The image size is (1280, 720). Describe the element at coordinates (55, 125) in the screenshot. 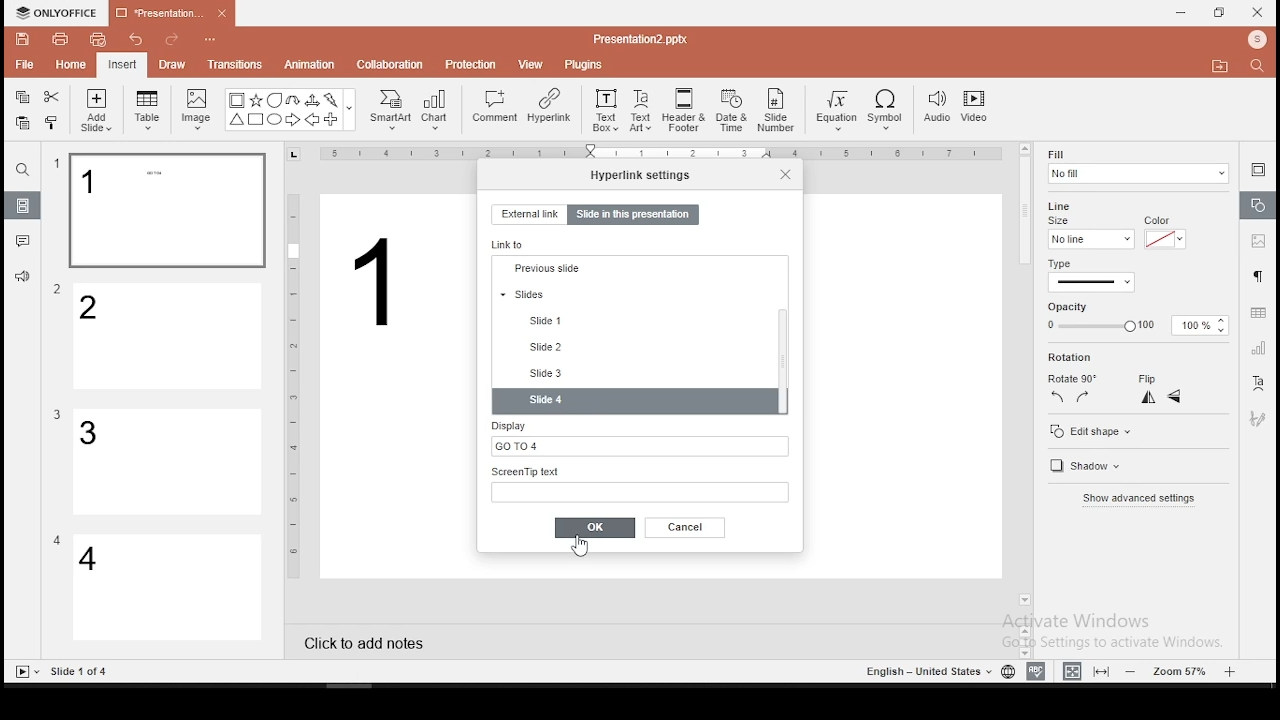

I see `clone formatting` at that location.